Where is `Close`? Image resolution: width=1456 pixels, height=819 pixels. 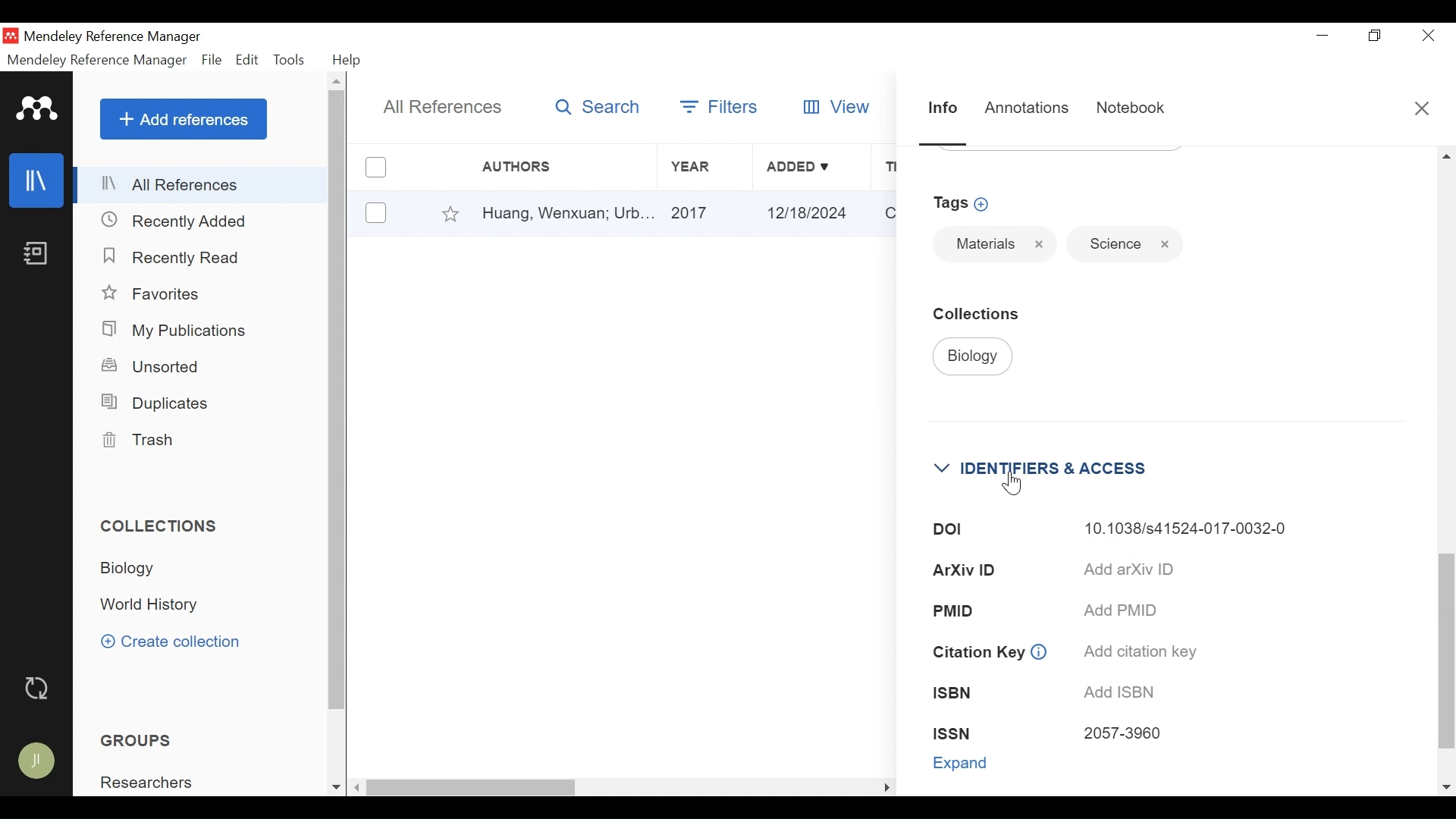
Close is located at coordinates (1420, 107).